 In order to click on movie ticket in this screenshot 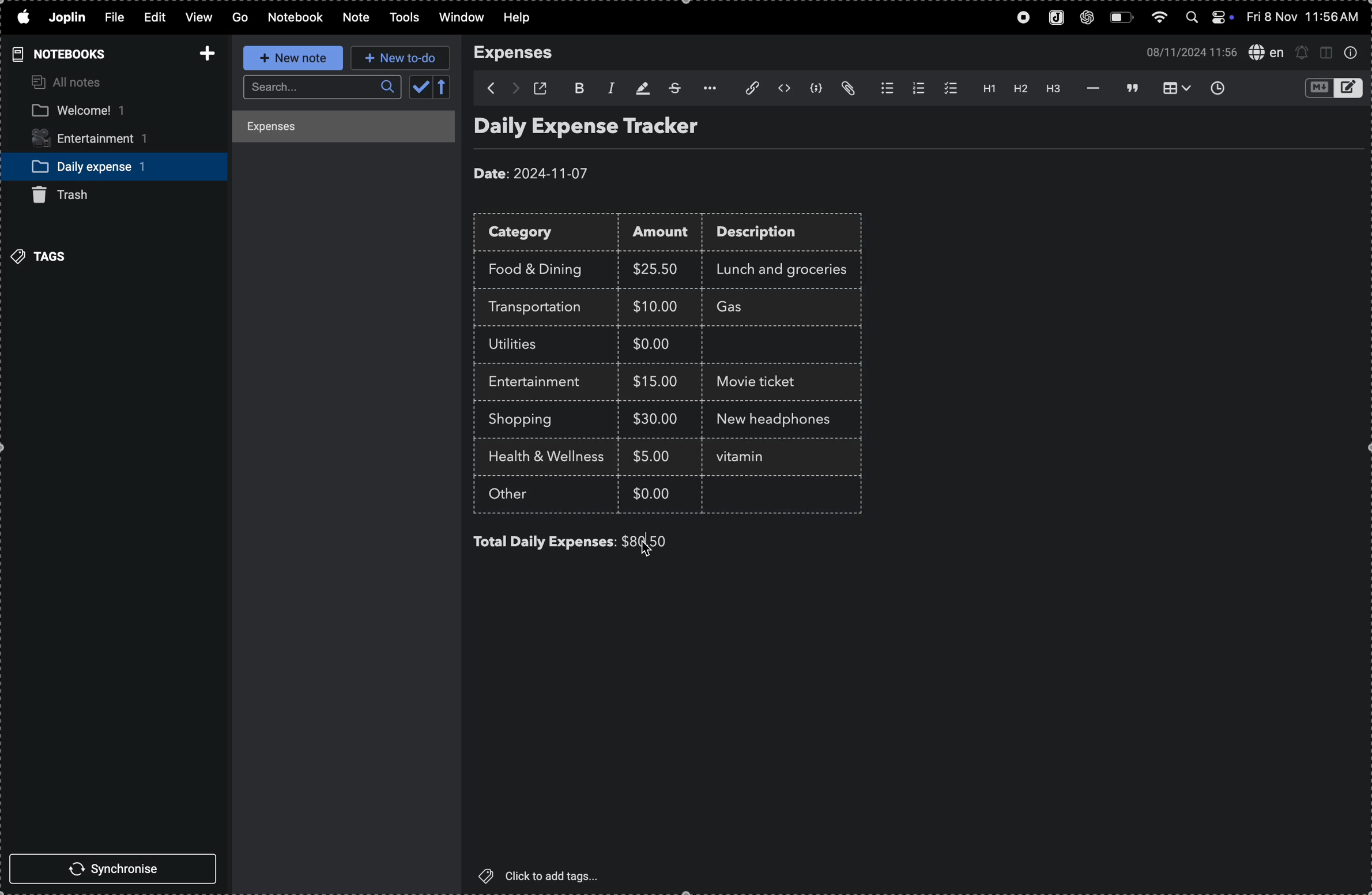, I will do `click(761, 383)`.